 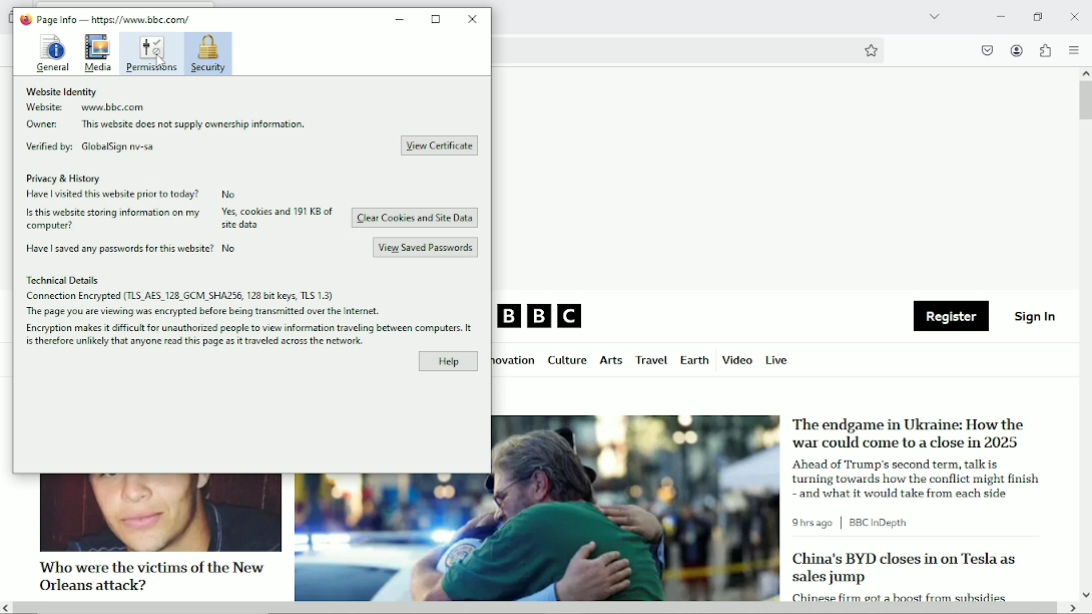 I want to click on Page Info — https://www.bbe.com/, so click(x=114, y=19).